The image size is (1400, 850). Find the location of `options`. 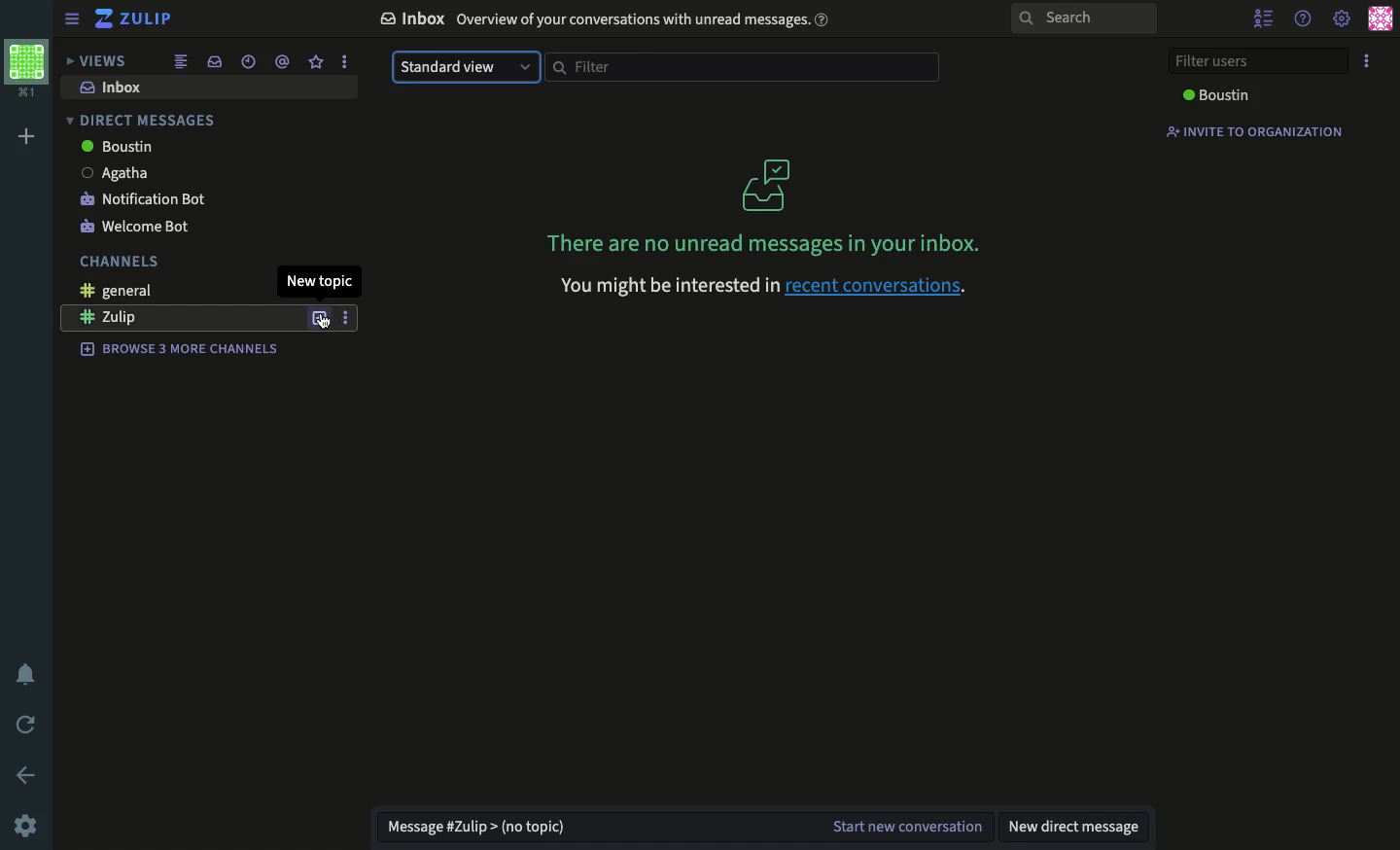

options is located at coordinates (345, 61).